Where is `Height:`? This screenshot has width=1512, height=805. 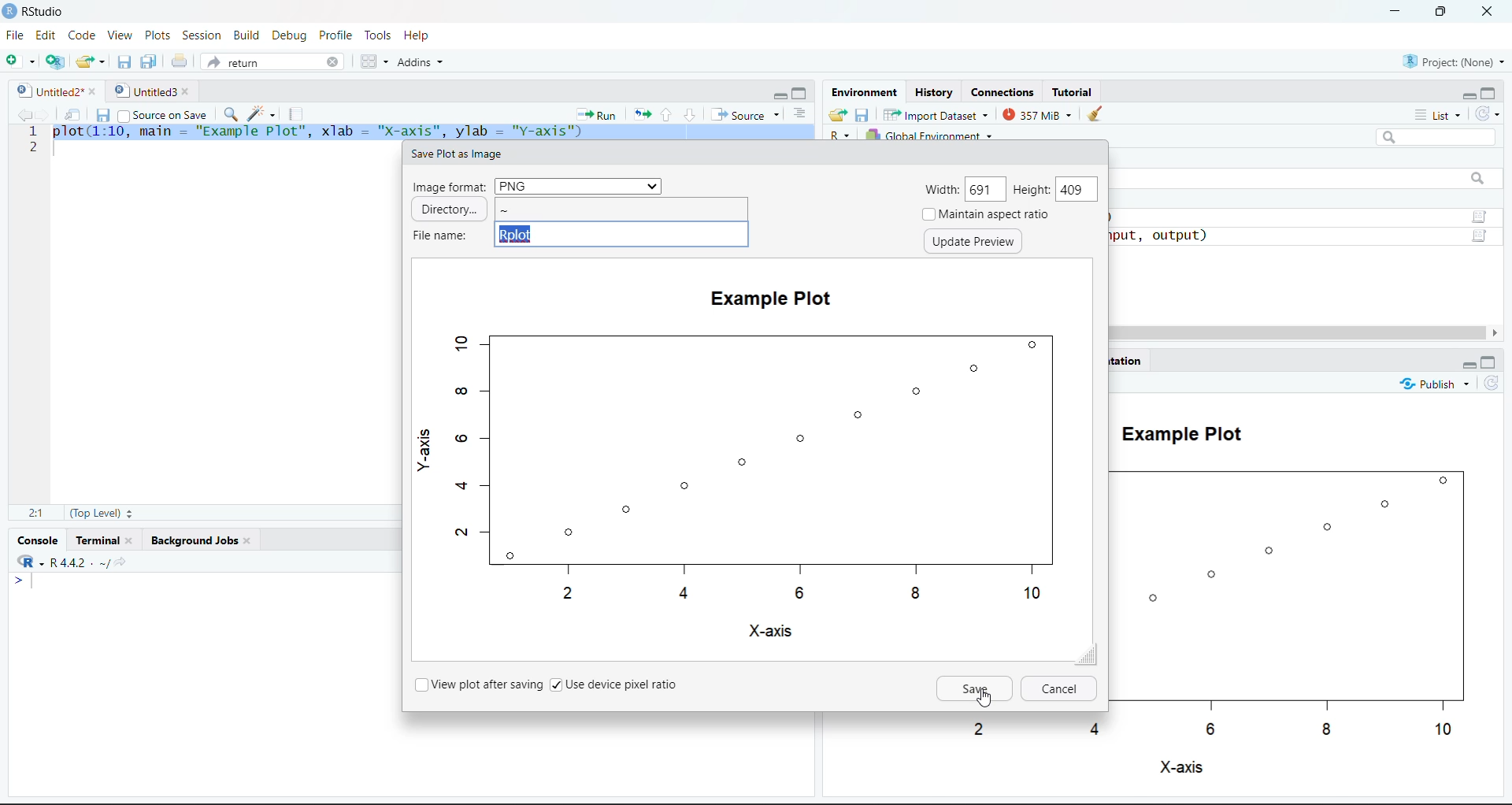 Height: is located at coordinates (1032, 191).